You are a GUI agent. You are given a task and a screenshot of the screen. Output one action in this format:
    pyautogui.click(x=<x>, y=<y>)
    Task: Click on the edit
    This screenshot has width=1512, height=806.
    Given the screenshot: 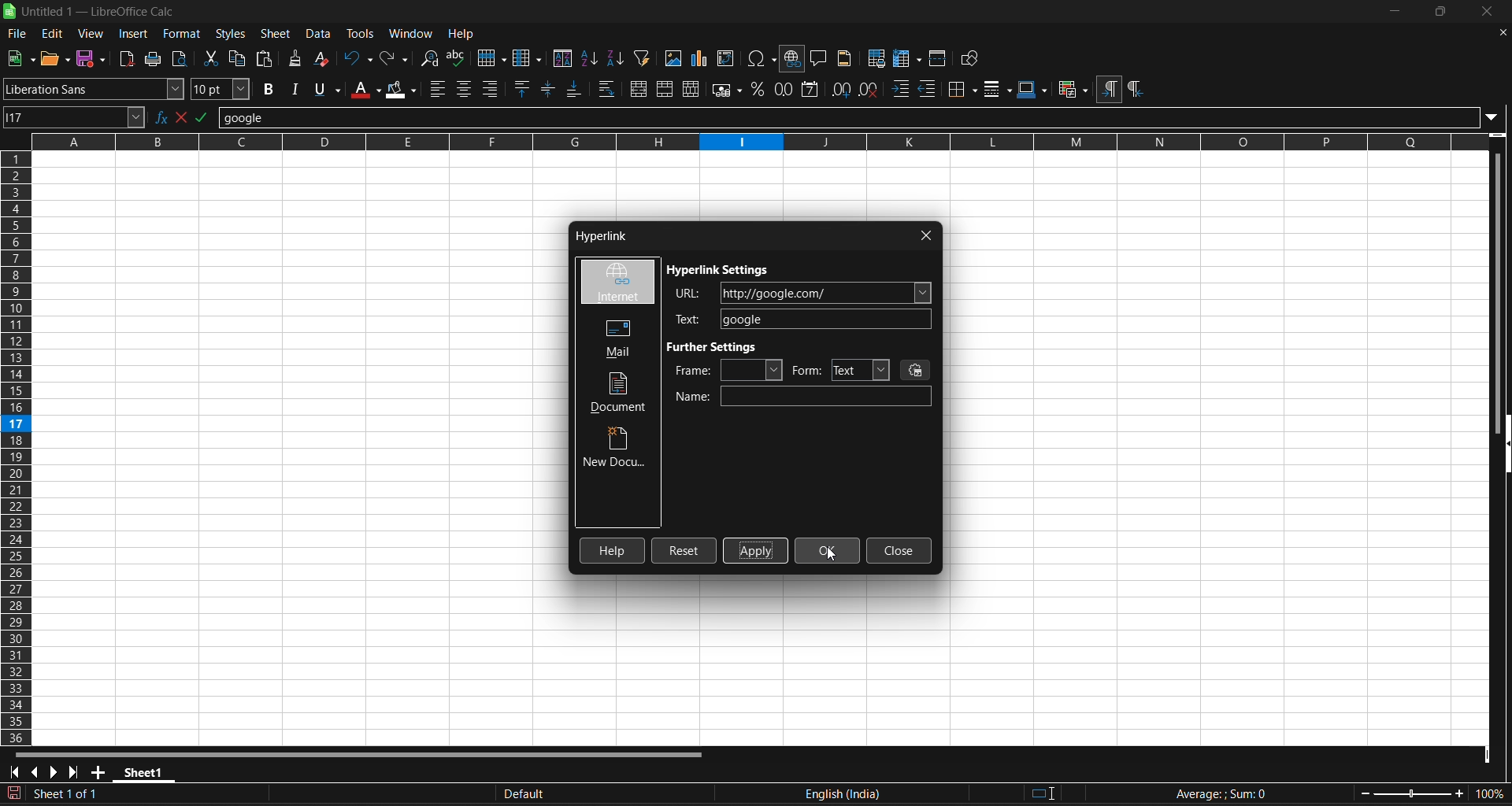 What is the action you would take?
    pyautogui.click(x=53, y=34)
    